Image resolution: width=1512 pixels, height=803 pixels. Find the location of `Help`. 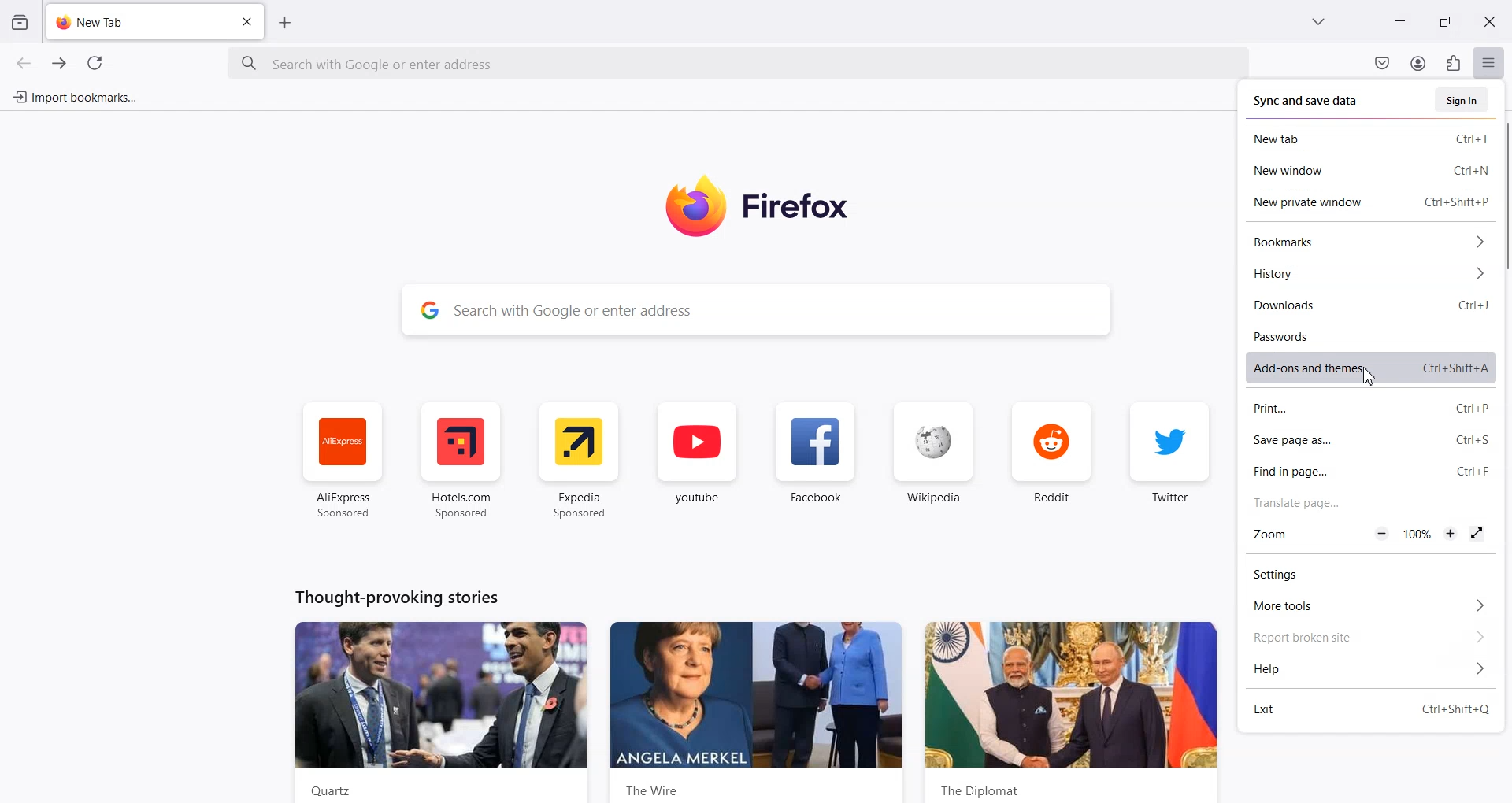

Help is located at coordinates (1369, 668).